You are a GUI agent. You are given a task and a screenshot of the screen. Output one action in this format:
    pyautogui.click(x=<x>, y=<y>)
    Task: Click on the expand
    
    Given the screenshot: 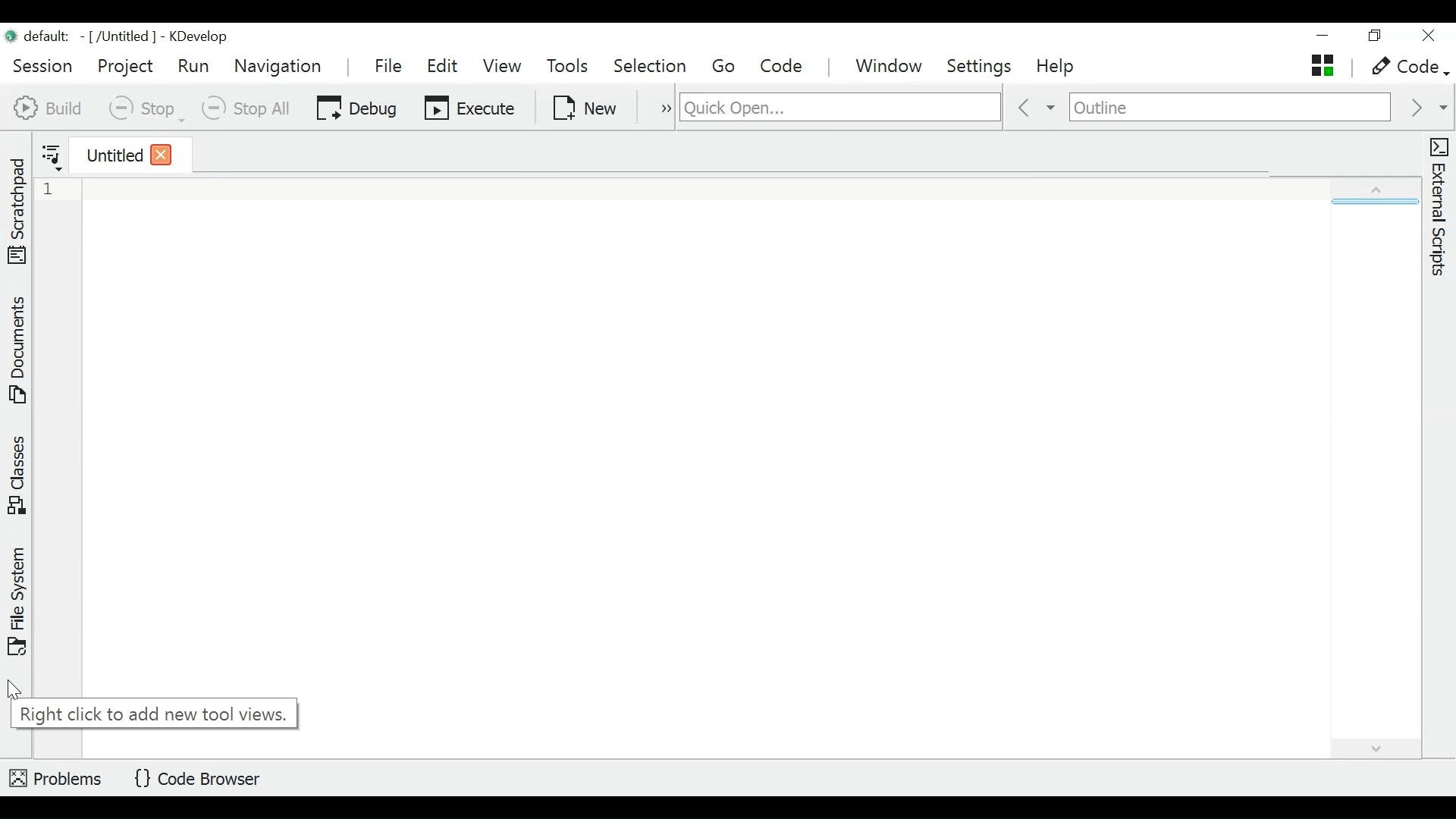 What is the action you would take?
    pyautogui.click(x=1368, y=750)
    